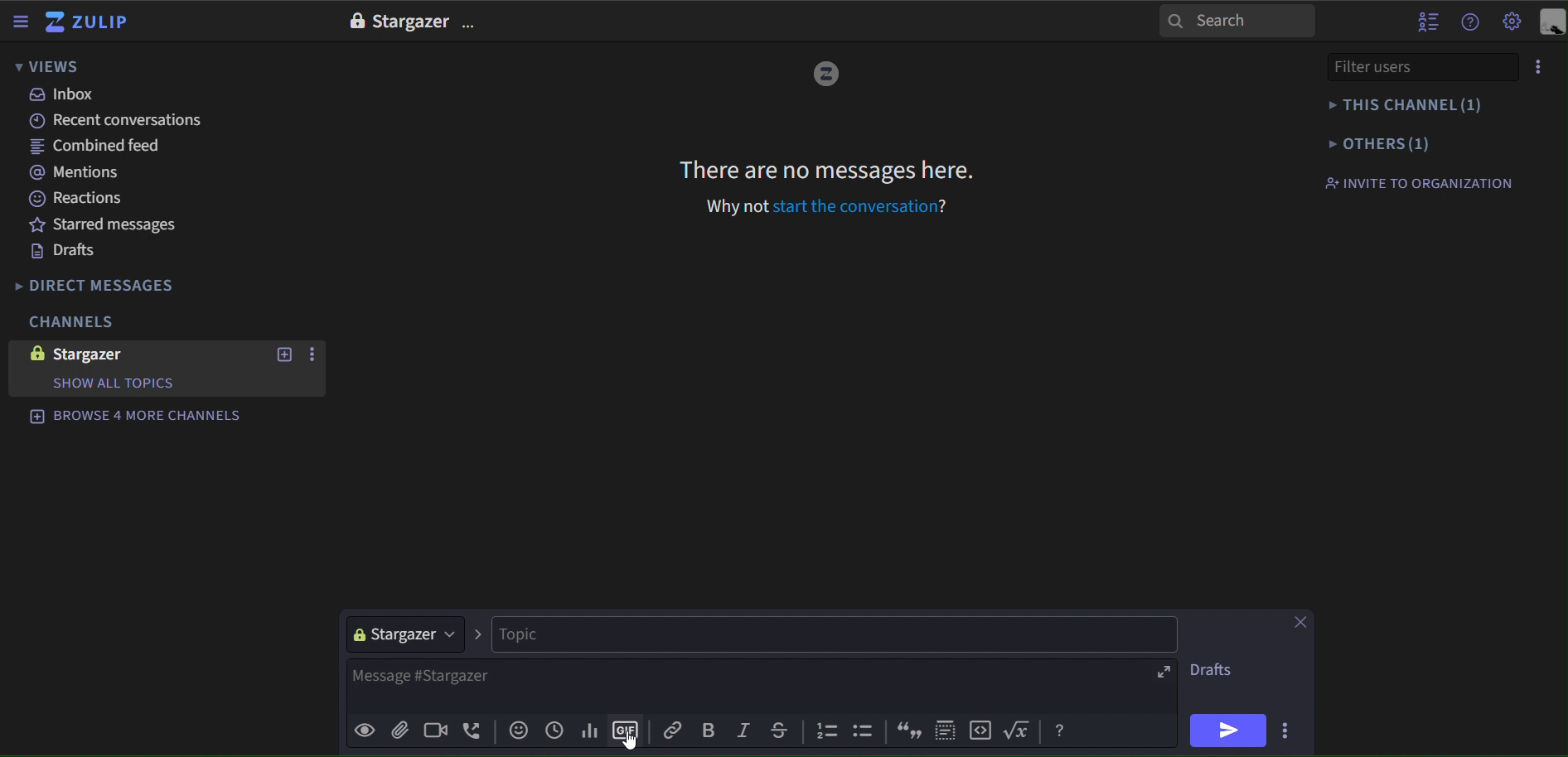 Image resolution: width=1568 pixels, height=757 pixels. What do you see at coordinates (738, 206) in the screenshot?
I see `why not` at bounding box center [738, 206].